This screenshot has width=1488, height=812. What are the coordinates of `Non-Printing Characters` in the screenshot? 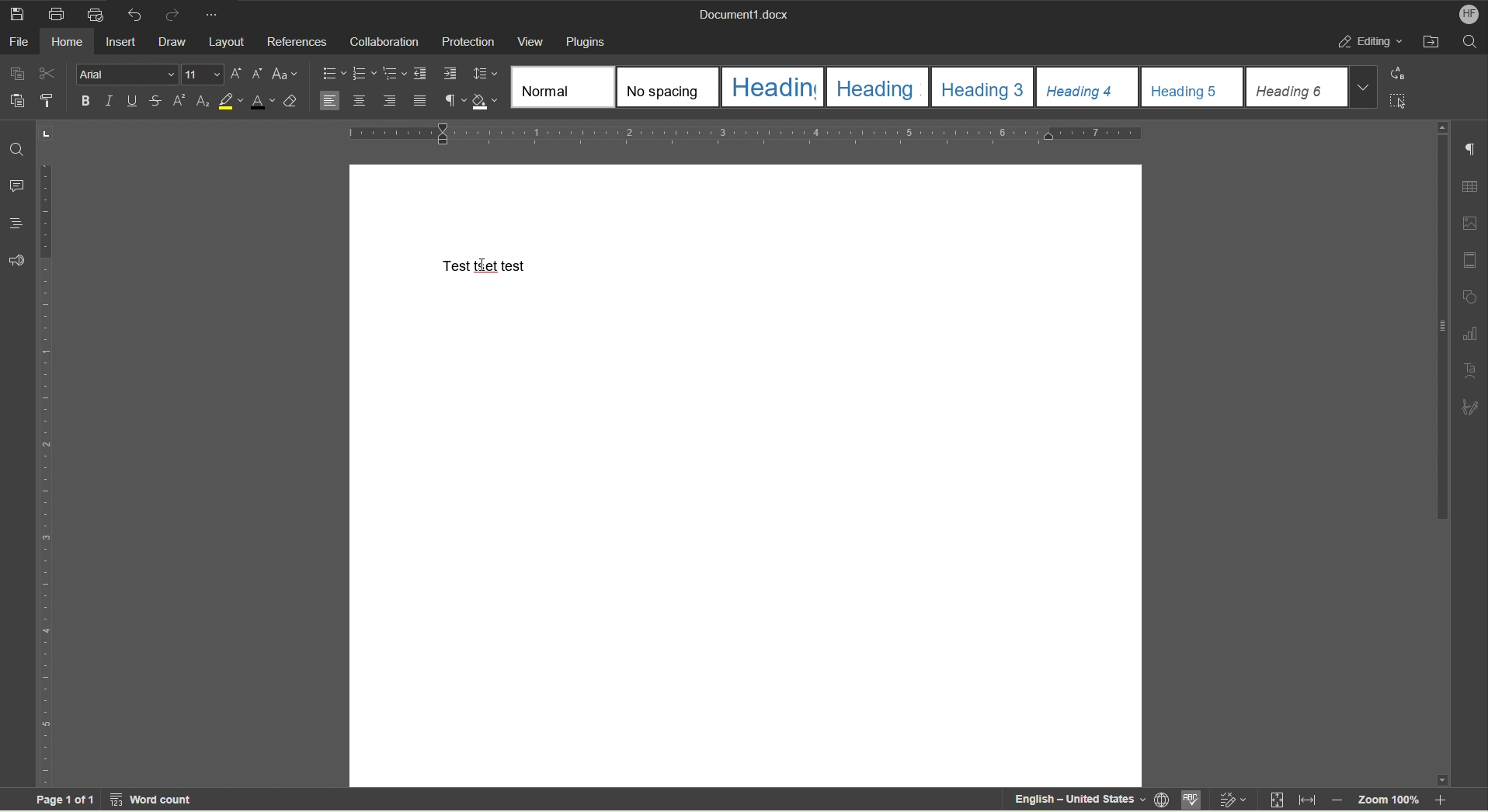 It's located at (454, 102).